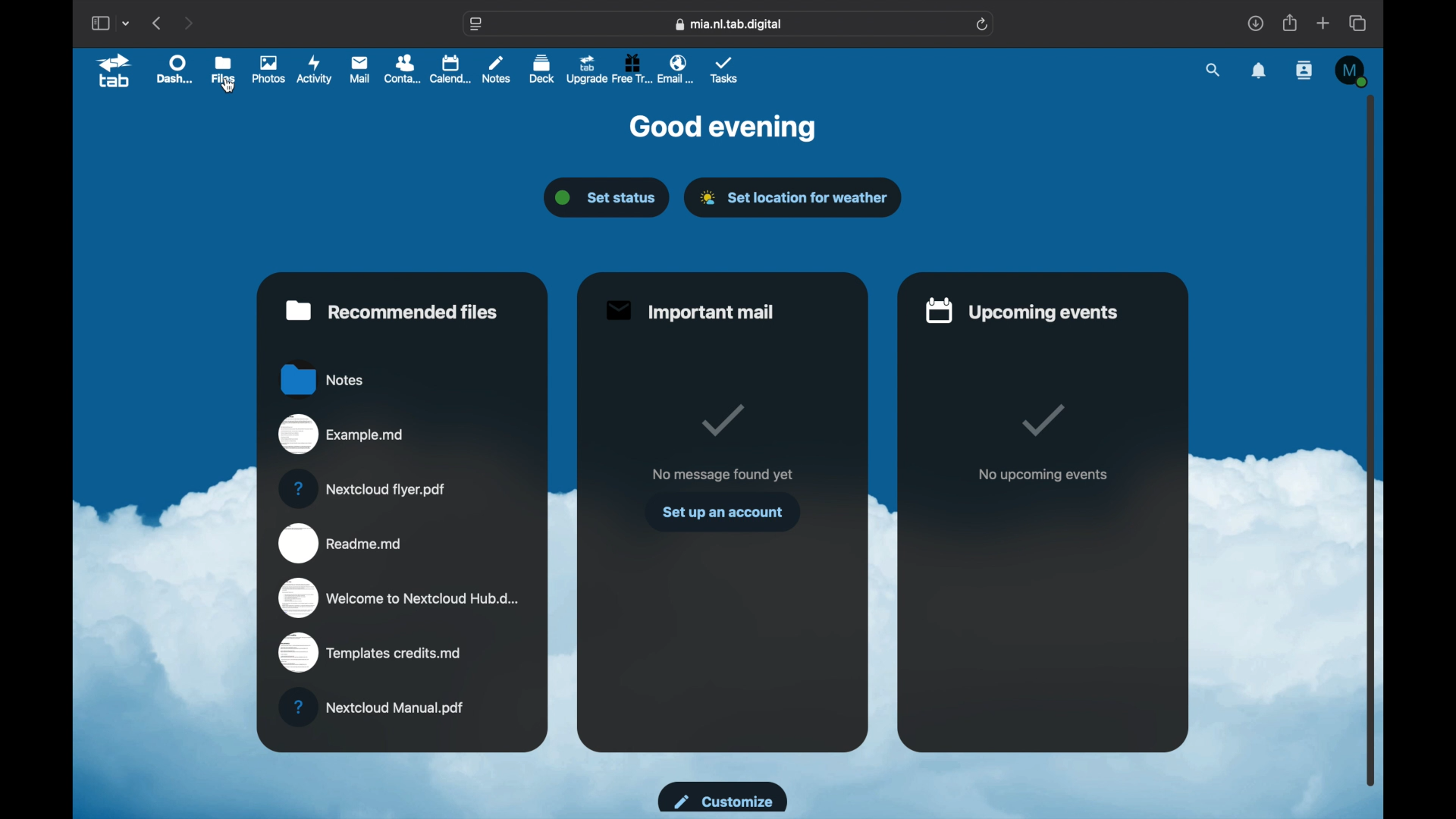  What do you see at coordinates (724, 419) in the screenshot?
I see `tick mark` at bounding box center [724, 419].